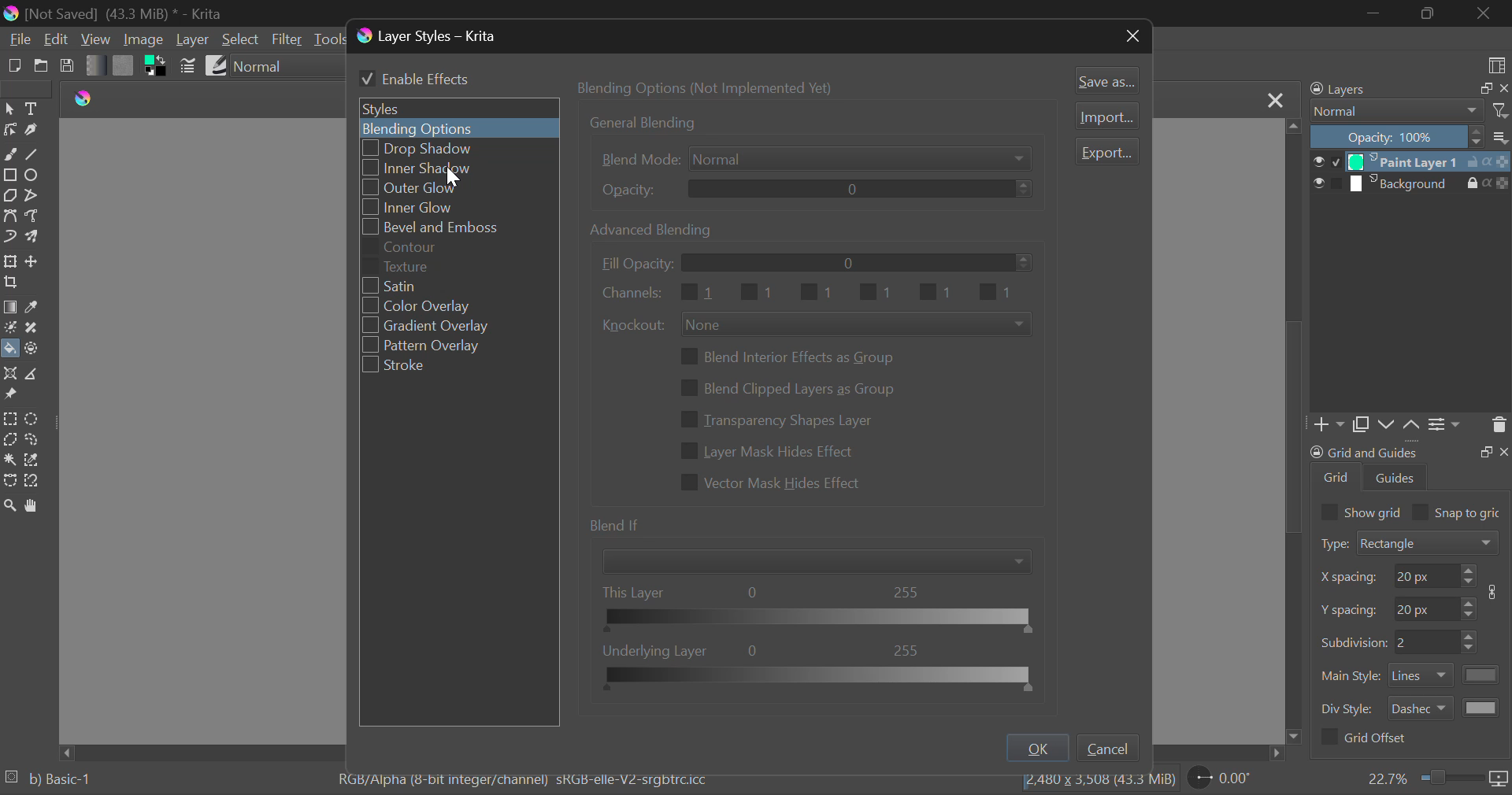 This screenshot has width=1512, height=795. Describe the element at coordinates (35, 306) in the screenshot. I see `Eyedropper` at that location.